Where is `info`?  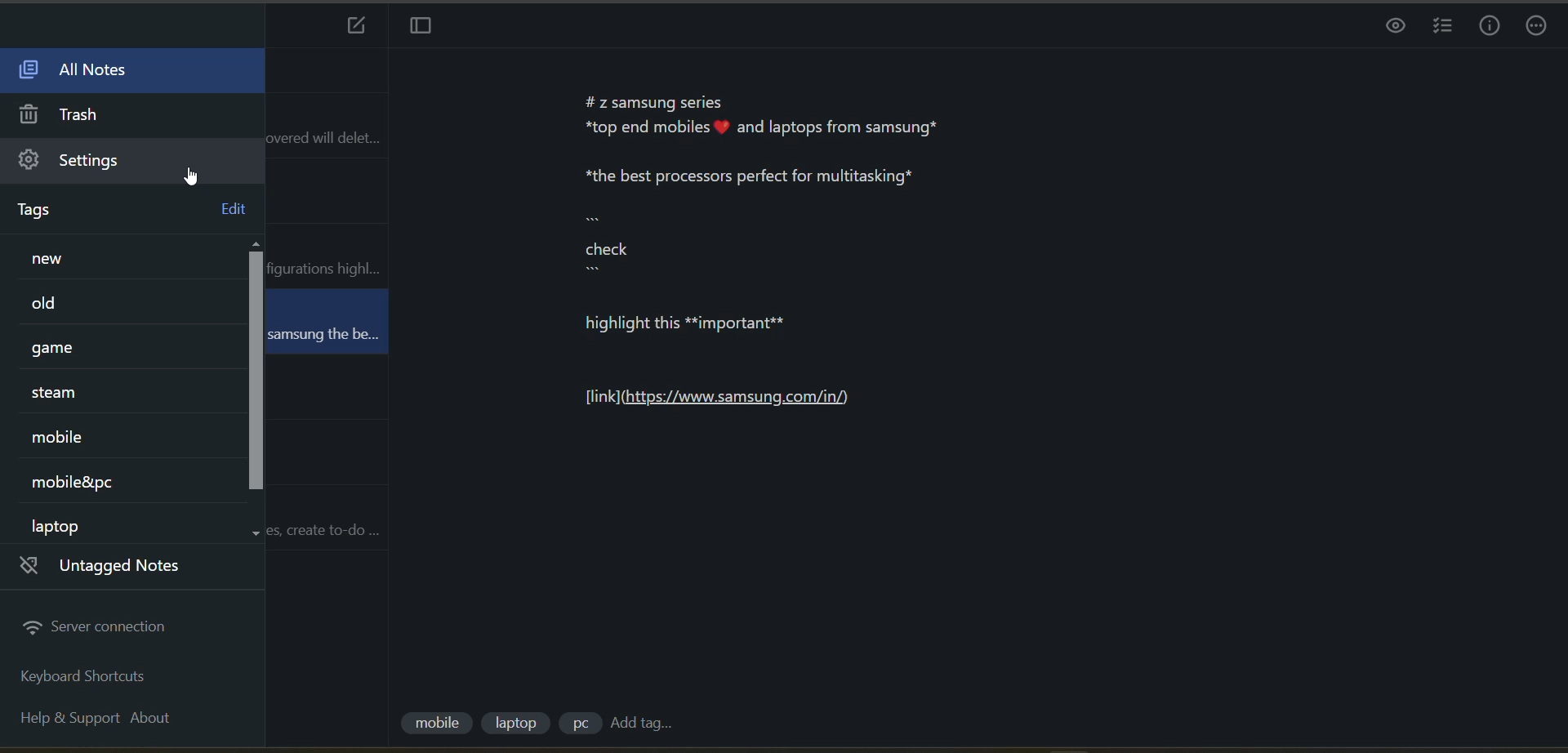
info is located at coordinates (1488, 27).